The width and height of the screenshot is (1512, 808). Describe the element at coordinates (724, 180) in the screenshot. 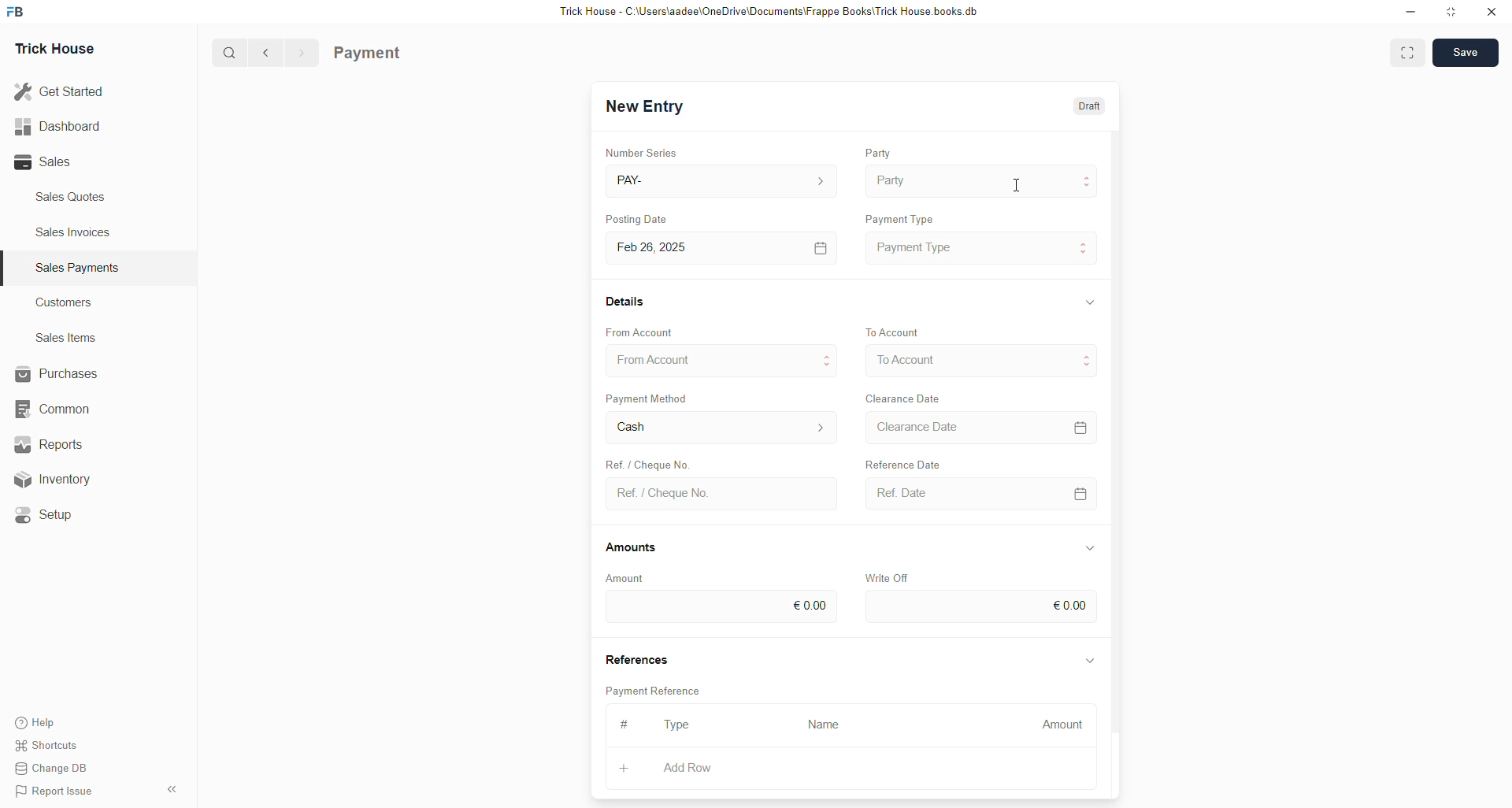

I see `PAY` at that location.